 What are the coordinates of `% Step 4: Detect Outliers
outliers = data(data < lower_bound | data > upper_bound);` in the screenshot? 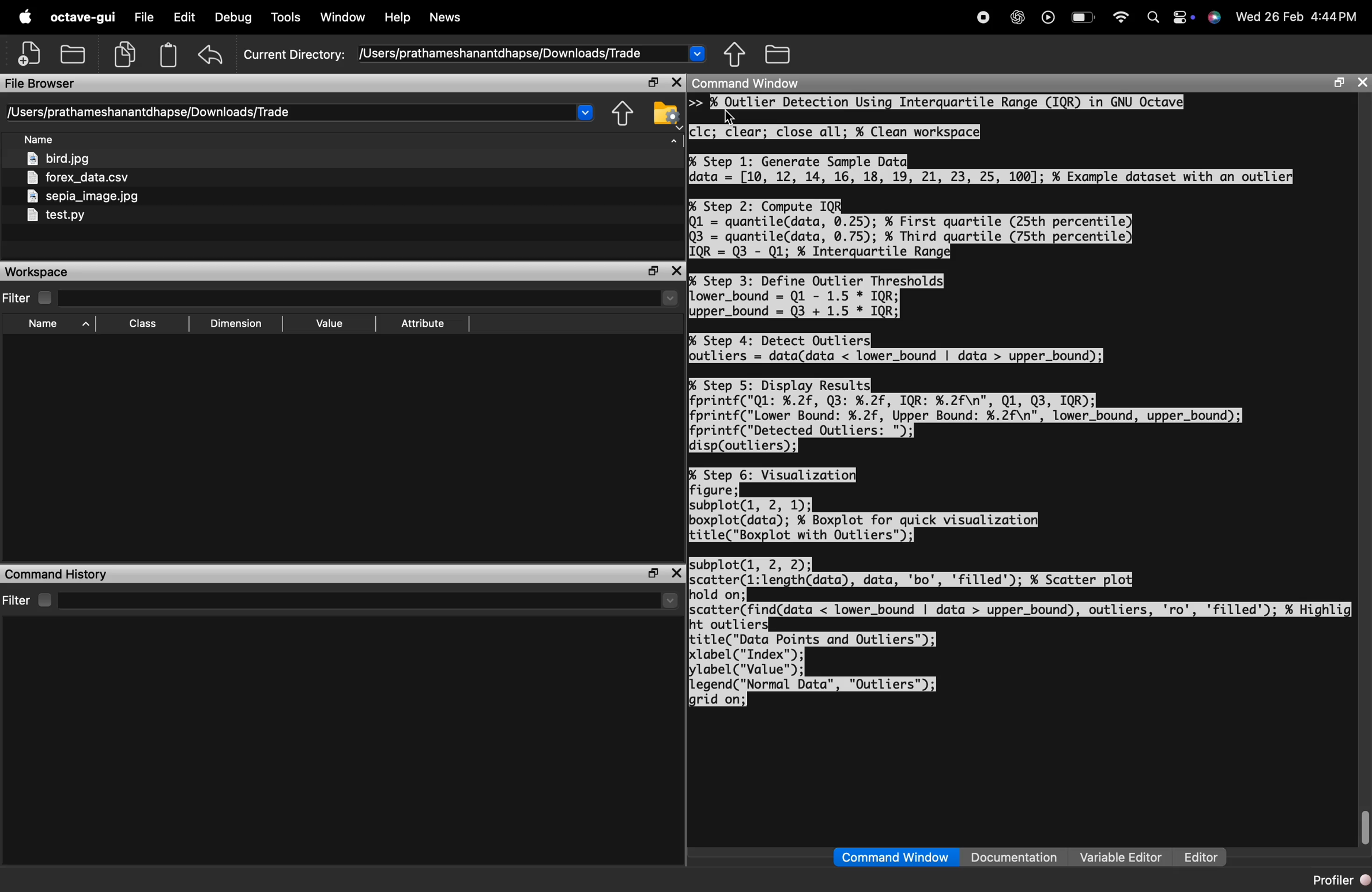 It's located at (896, 349).